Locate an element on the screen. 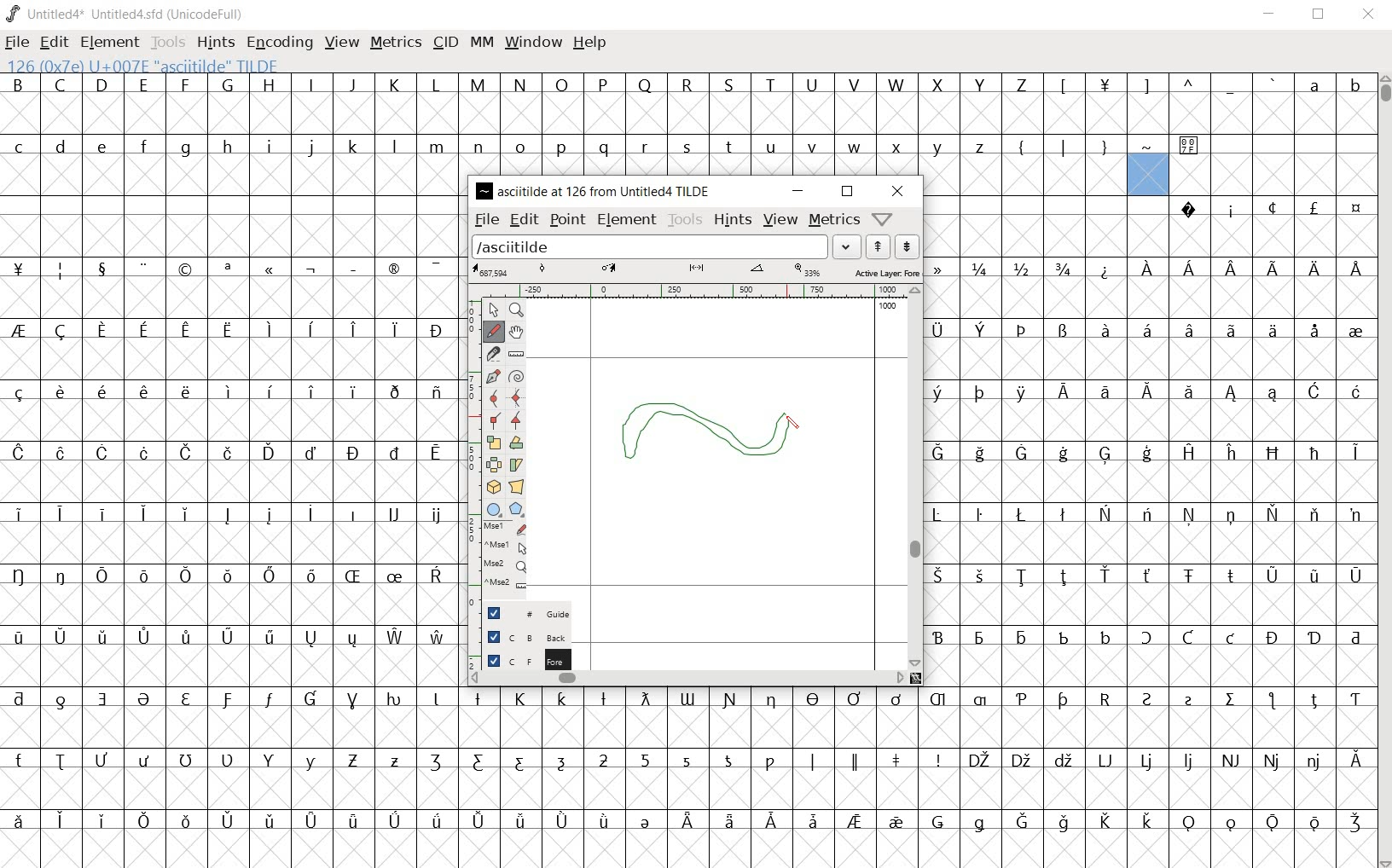 This screenshot has height=868, width=1392. FILE is located at coordinates (18, 41).